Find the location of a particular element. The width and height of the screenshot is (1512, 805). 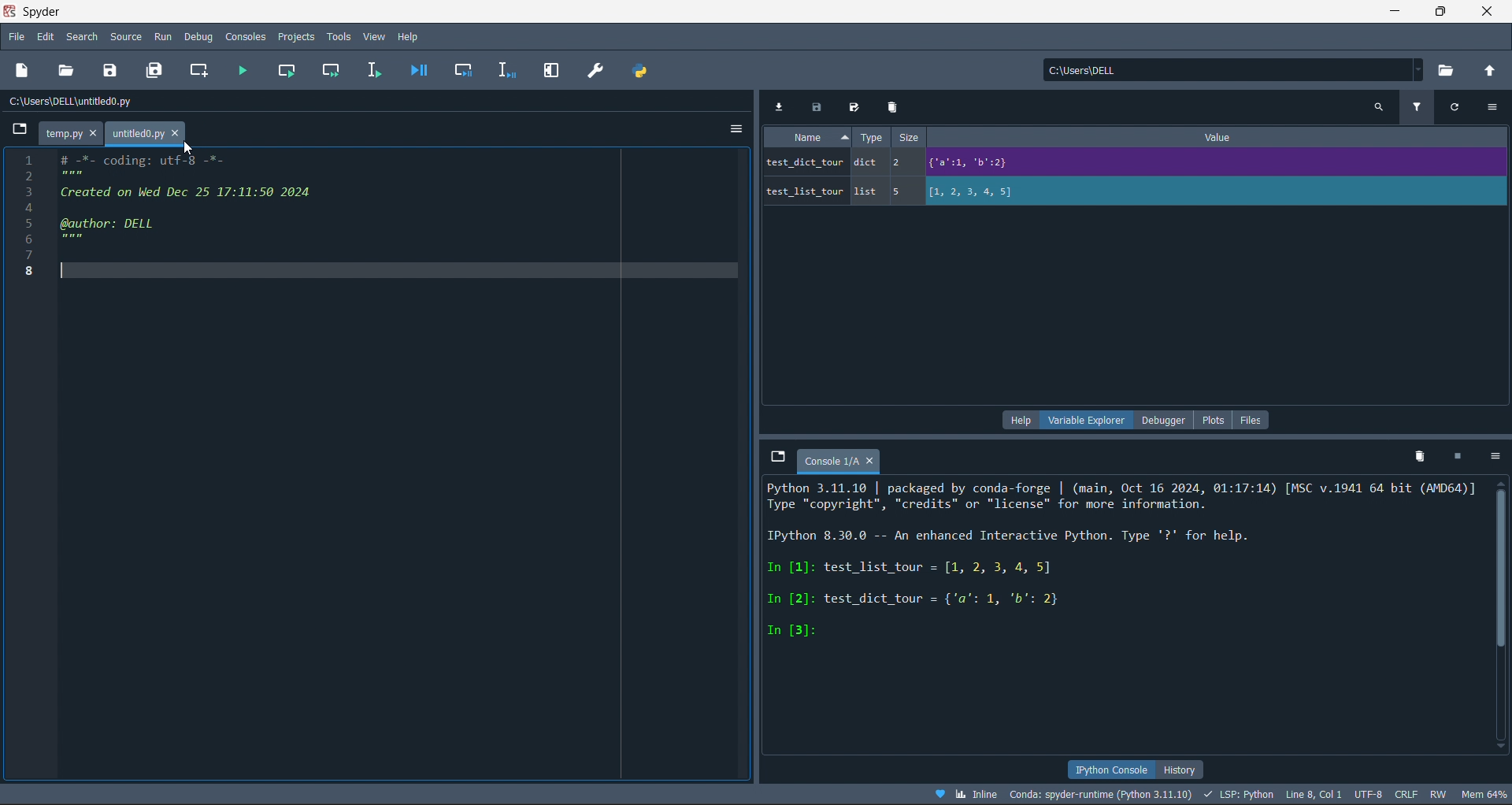

browse directory is located at coordinates (1449, 72).